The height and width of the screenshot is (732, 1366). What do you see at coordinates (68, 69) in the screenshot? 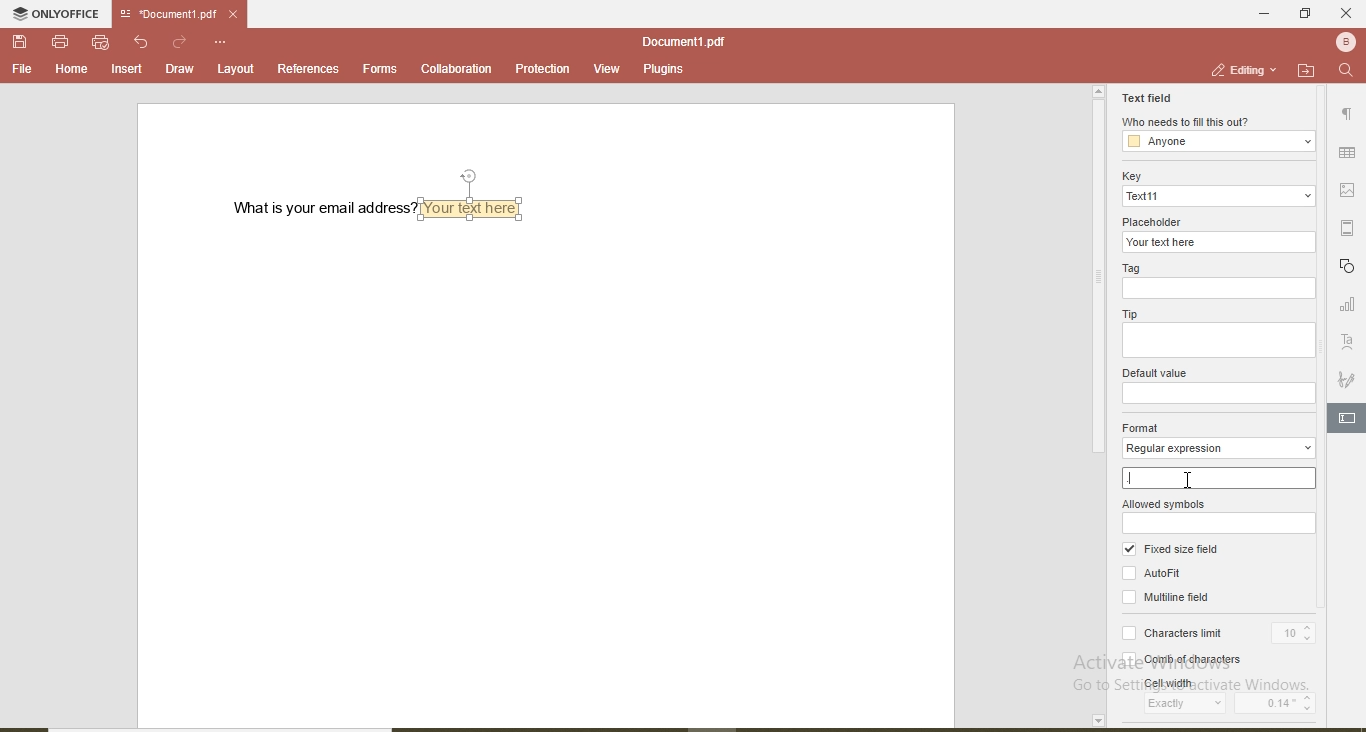
I see `home` at bounding box center [68, 69].